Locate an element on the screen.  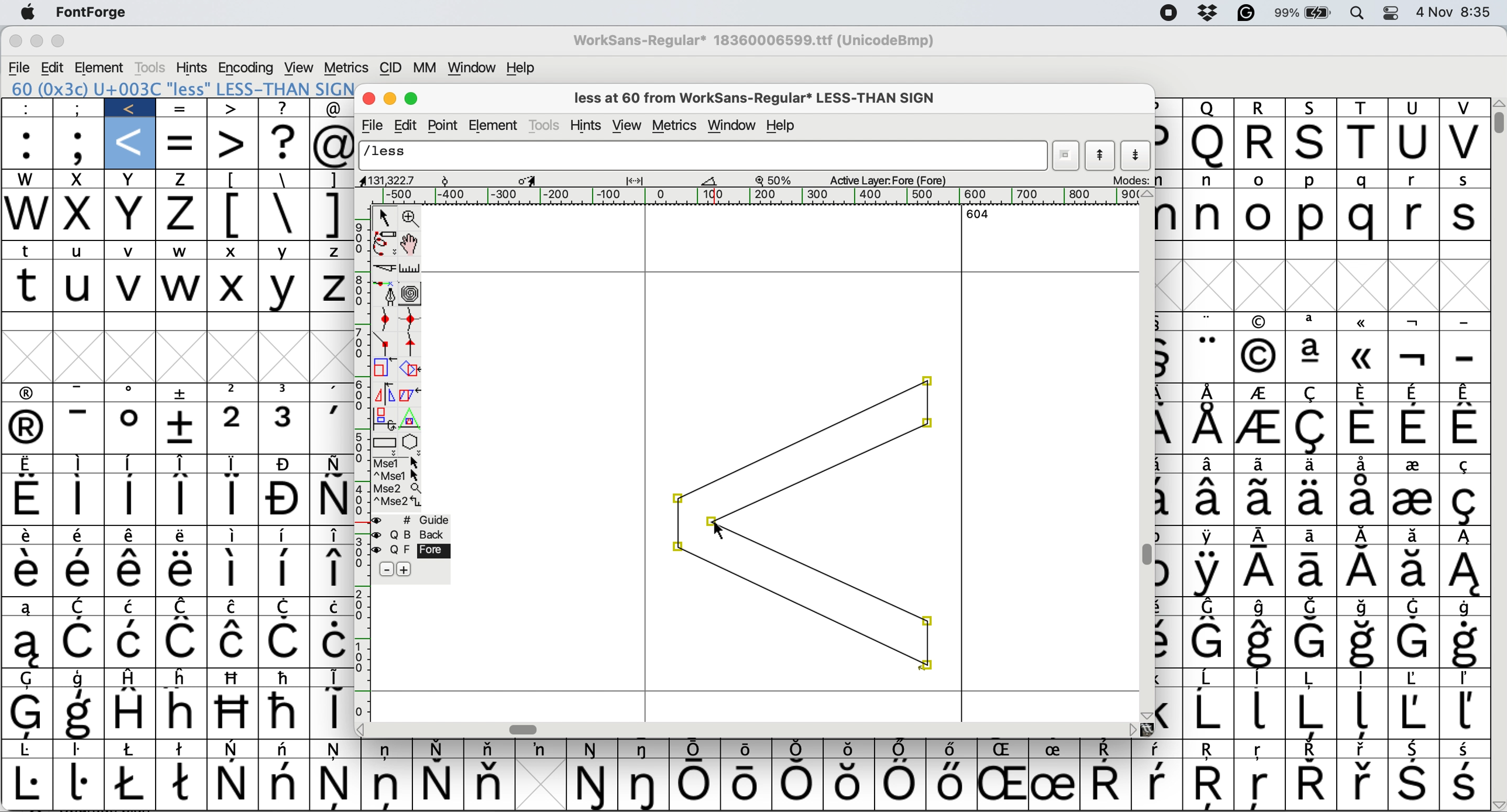
, is located at coordinates (328, 426).